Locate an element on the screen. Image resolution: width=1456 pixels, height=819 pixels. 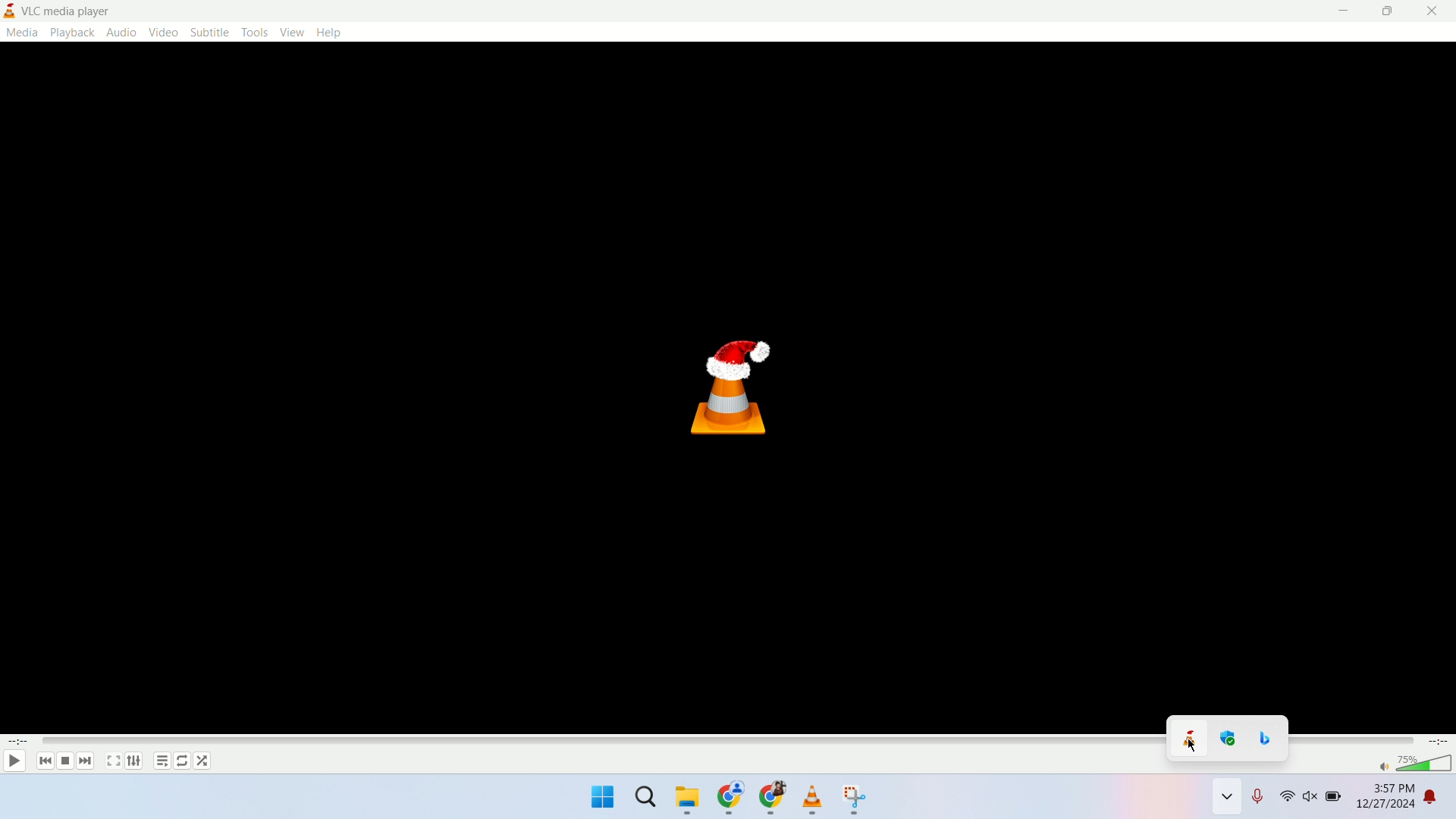
snipping tool is located at coordinates (856, 800).